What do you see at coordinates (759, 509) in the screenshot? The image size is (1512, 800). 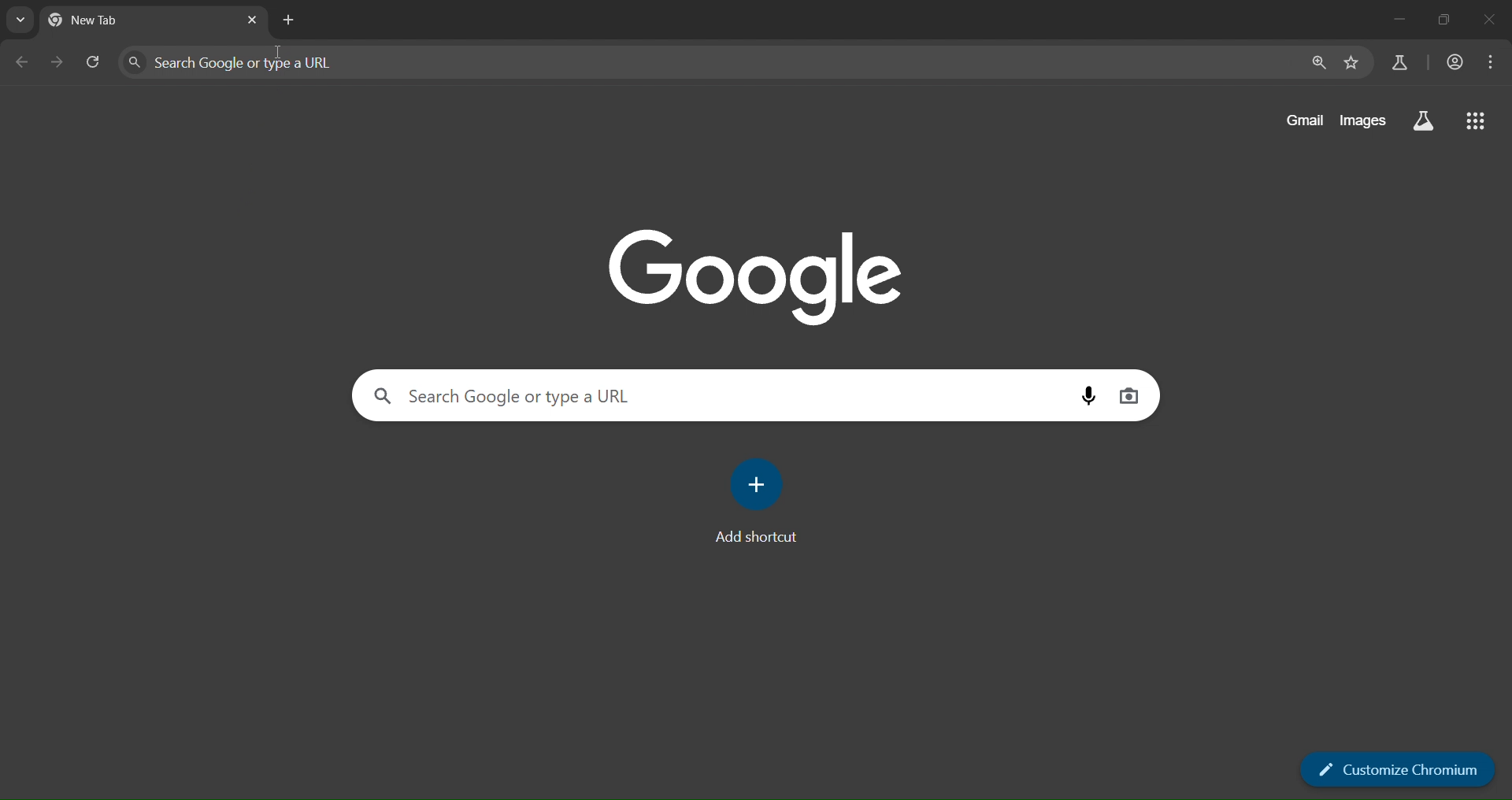 I see `add shortcut` at bounding box center [759, 509].